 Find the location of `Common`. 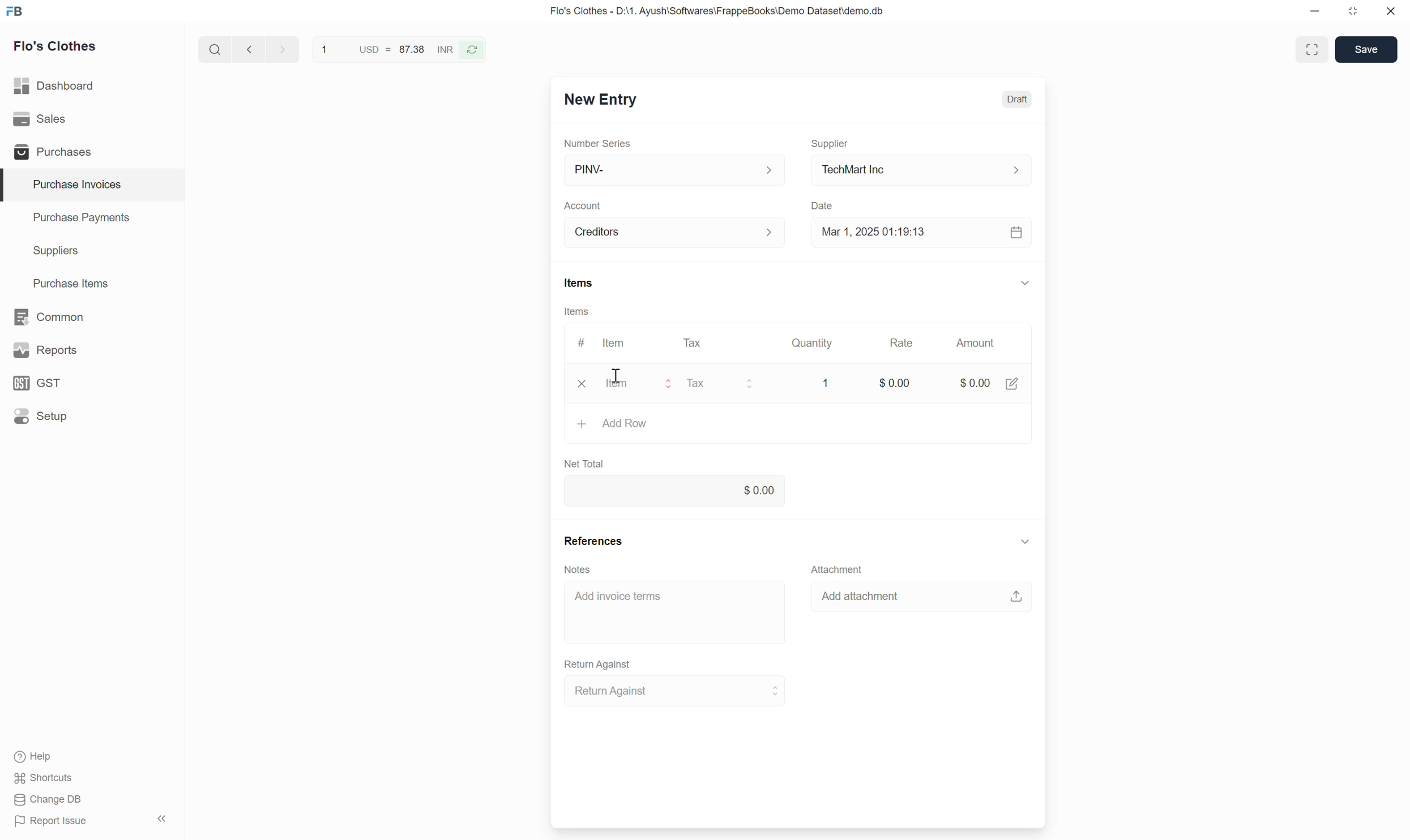

Common is located at coordinates (50, 316).